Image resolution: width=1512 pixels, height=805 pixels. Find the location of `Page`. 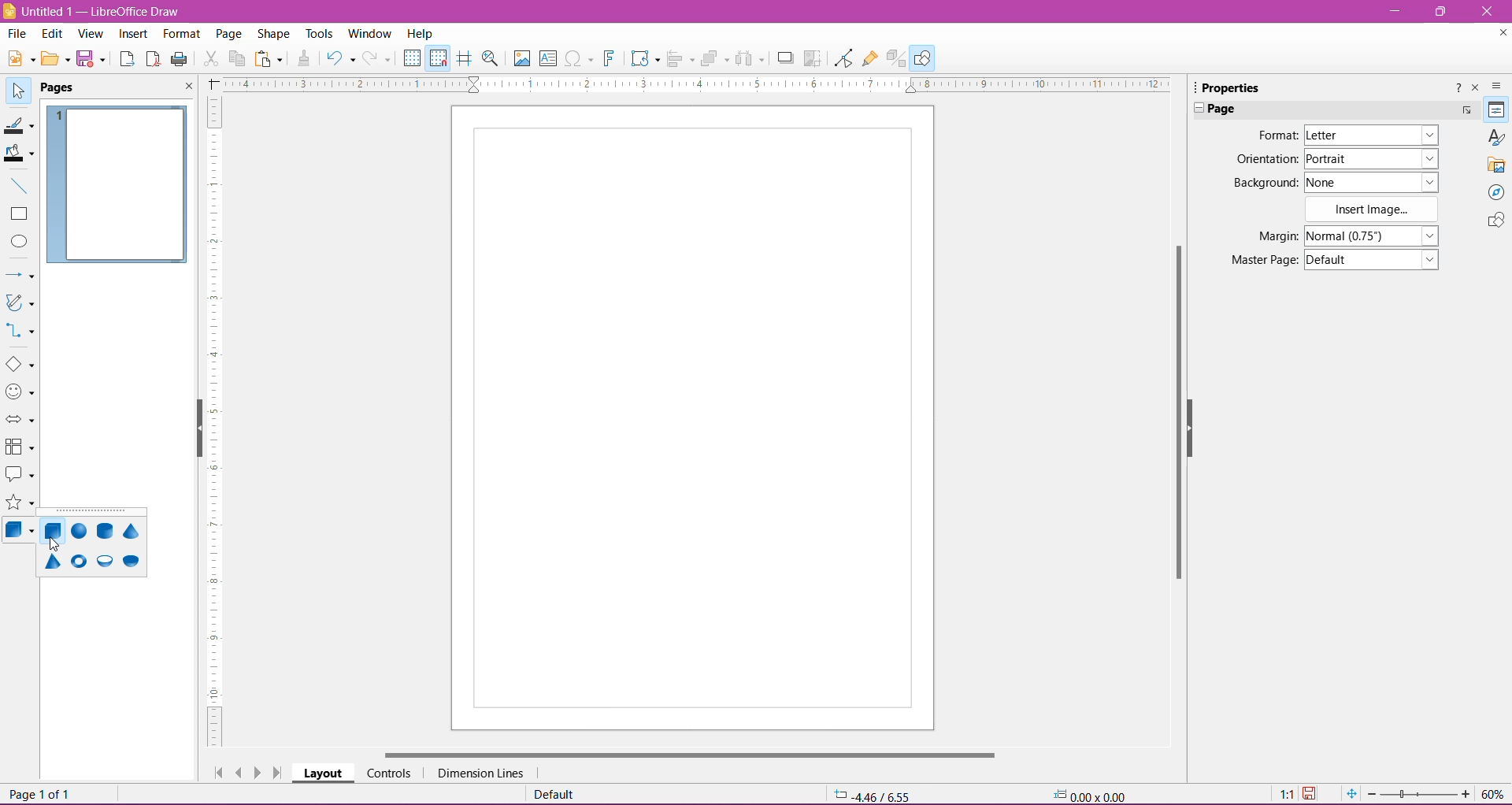

Page is located at coordinates (67, 88).